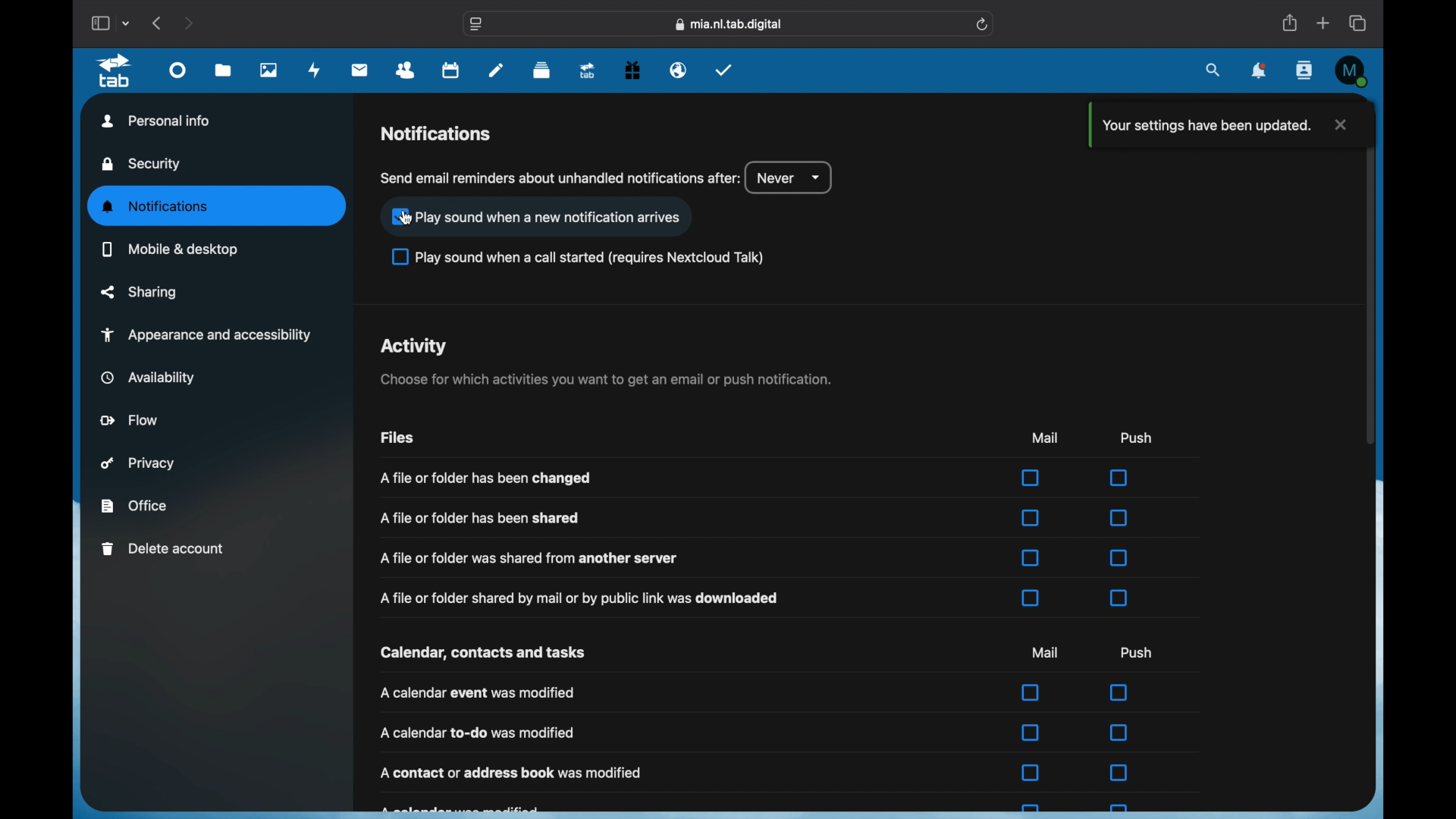 The image size is (1456, 819). Describe the element at coordinates (140, 292) in the screenshot. I see `sharing` at that location.